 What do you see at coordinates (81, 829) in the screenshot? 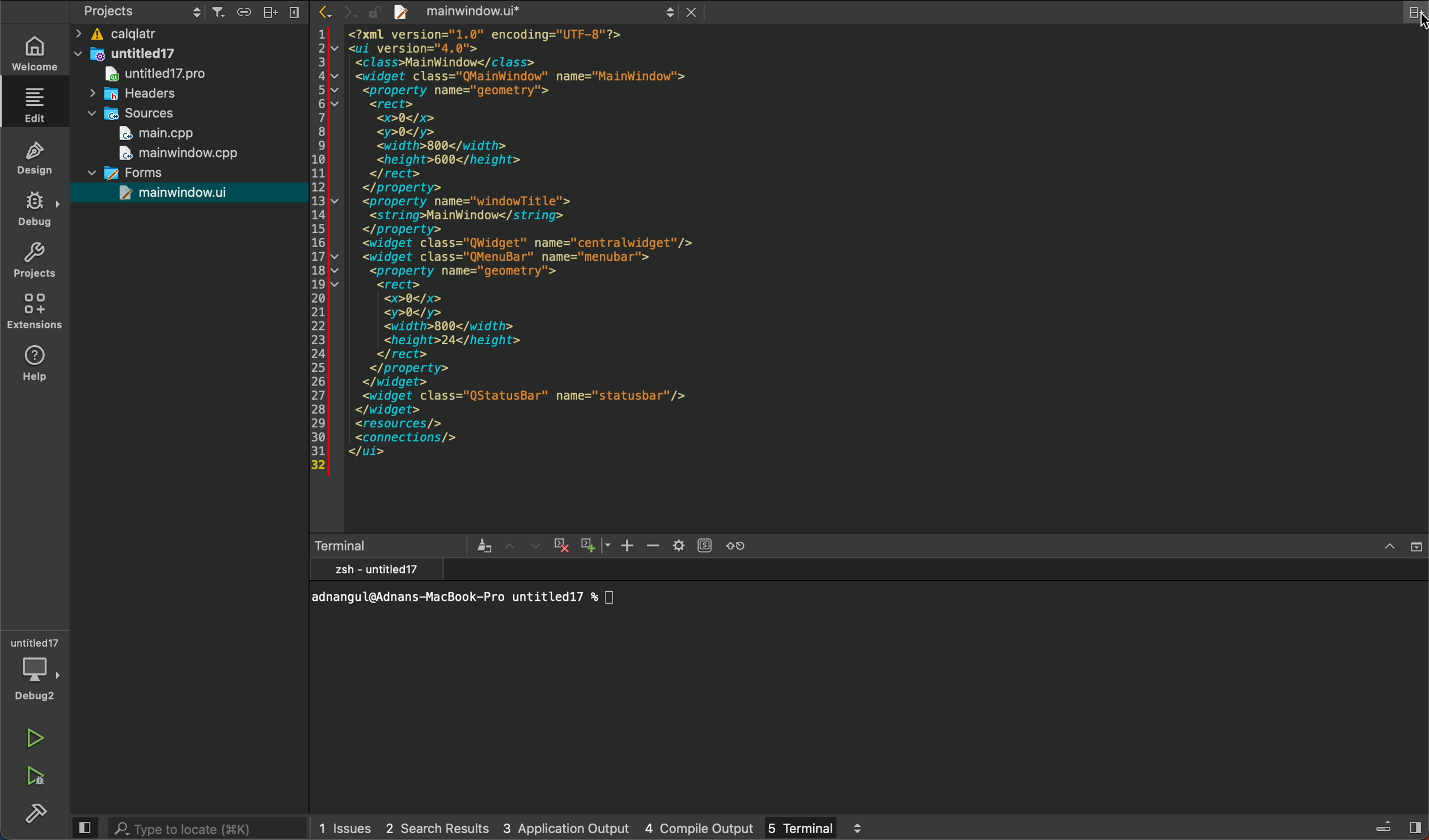
I see `hide left side bar` at bounding box center [81, 829].